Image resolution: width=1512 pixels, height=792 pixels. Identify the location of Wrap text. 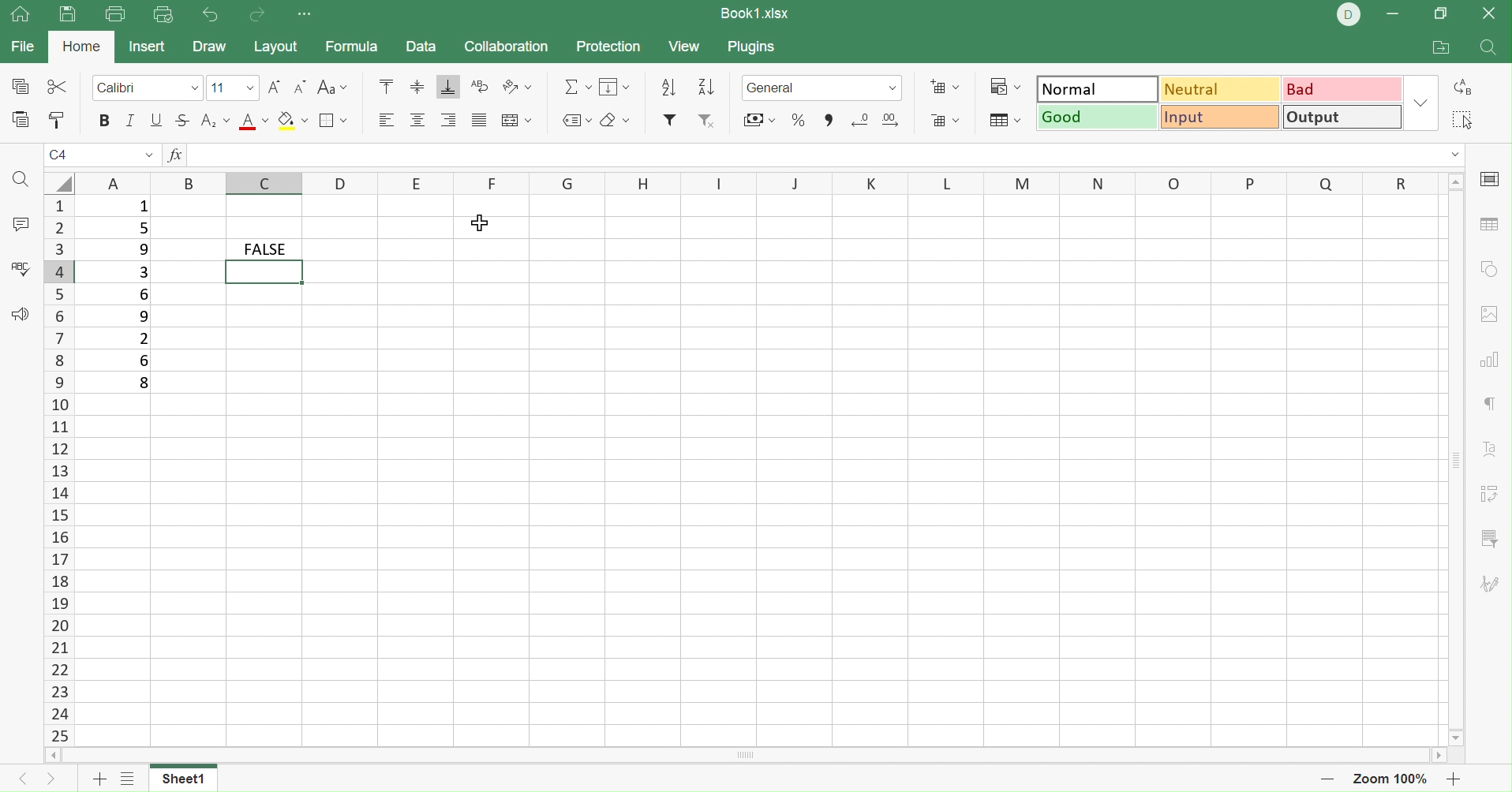
(478, 85).